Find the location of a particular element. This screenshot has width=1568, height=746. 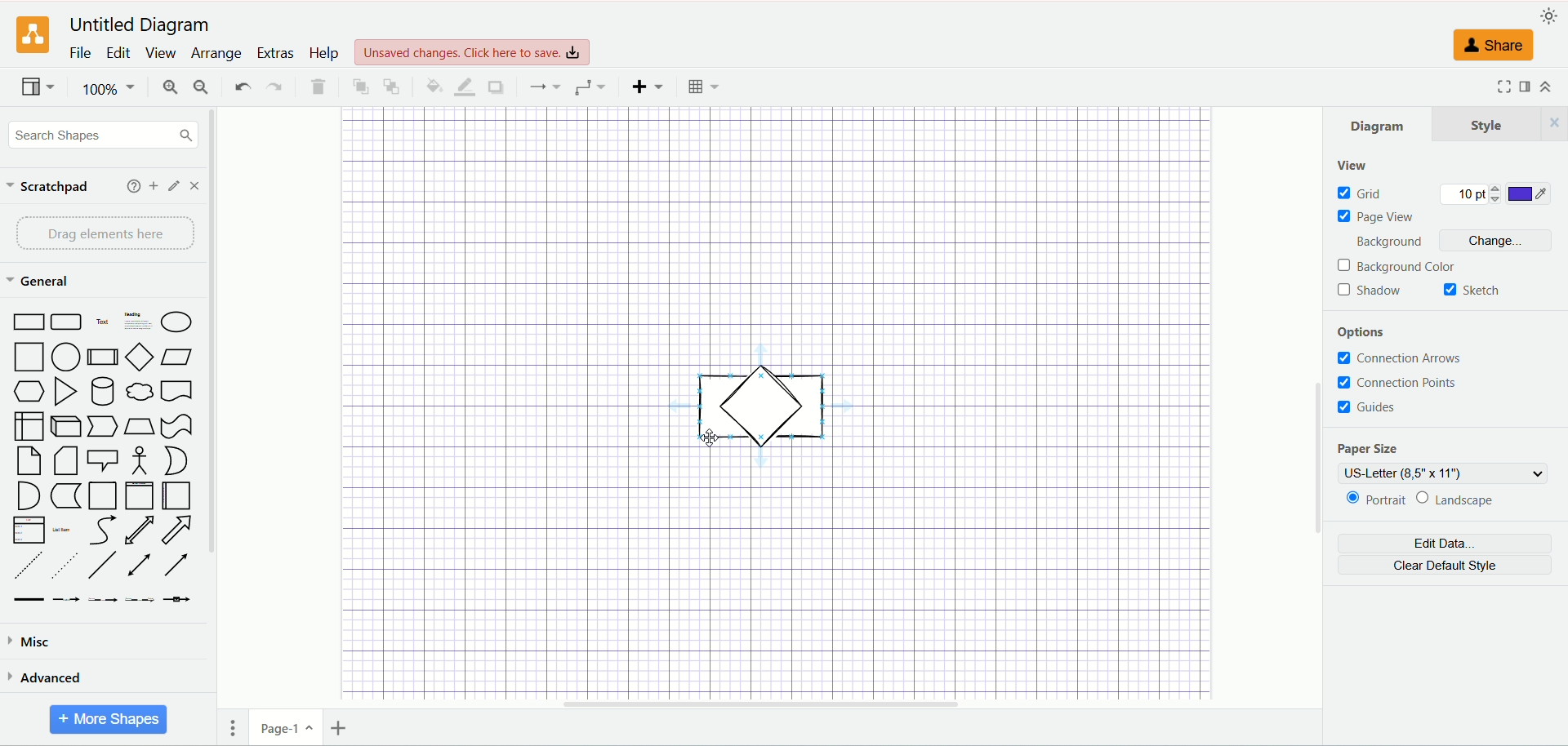

clear default style is located at coordinates (1447, 565).